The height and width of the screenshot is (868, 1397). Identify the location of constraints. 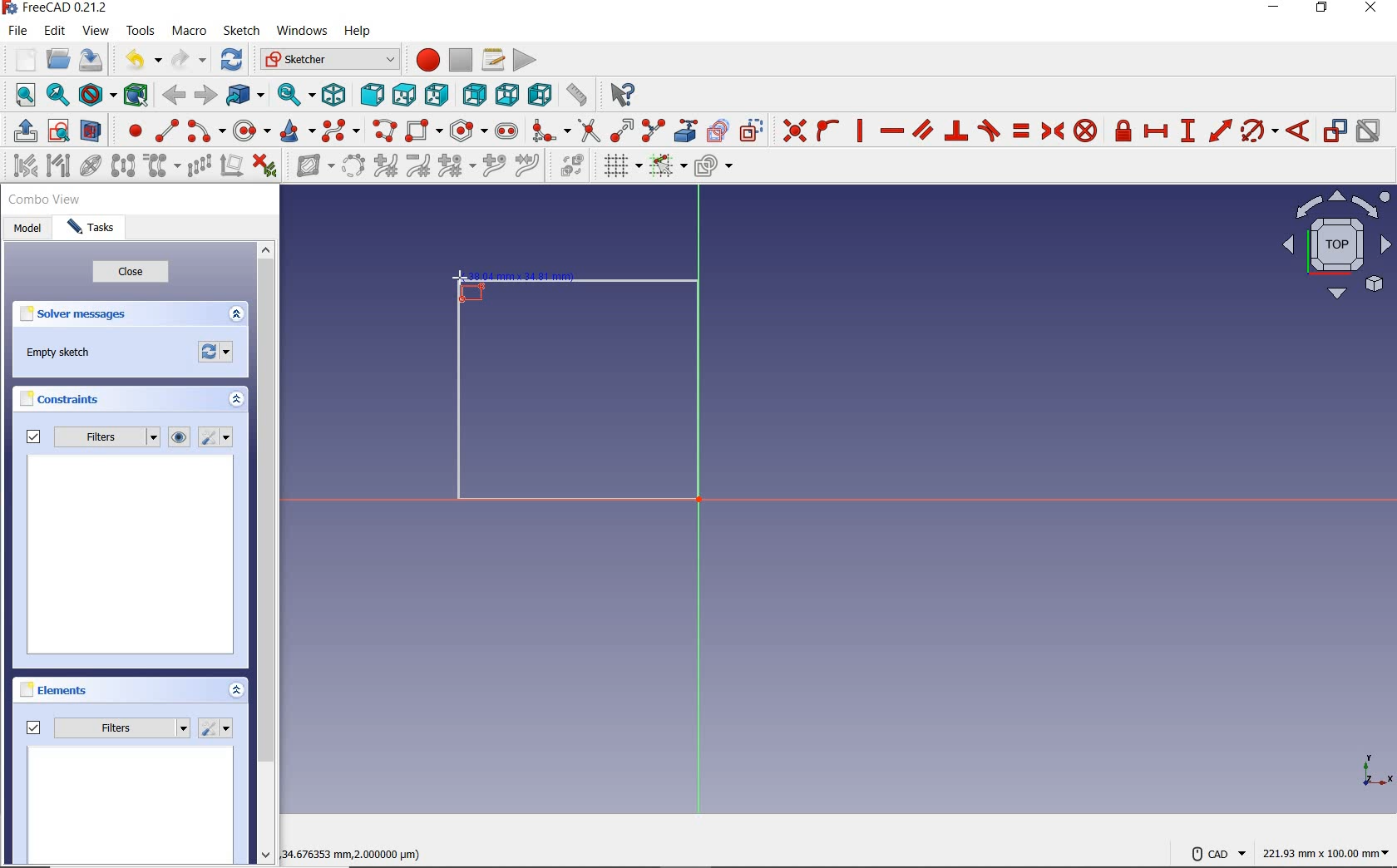
(64, 402).